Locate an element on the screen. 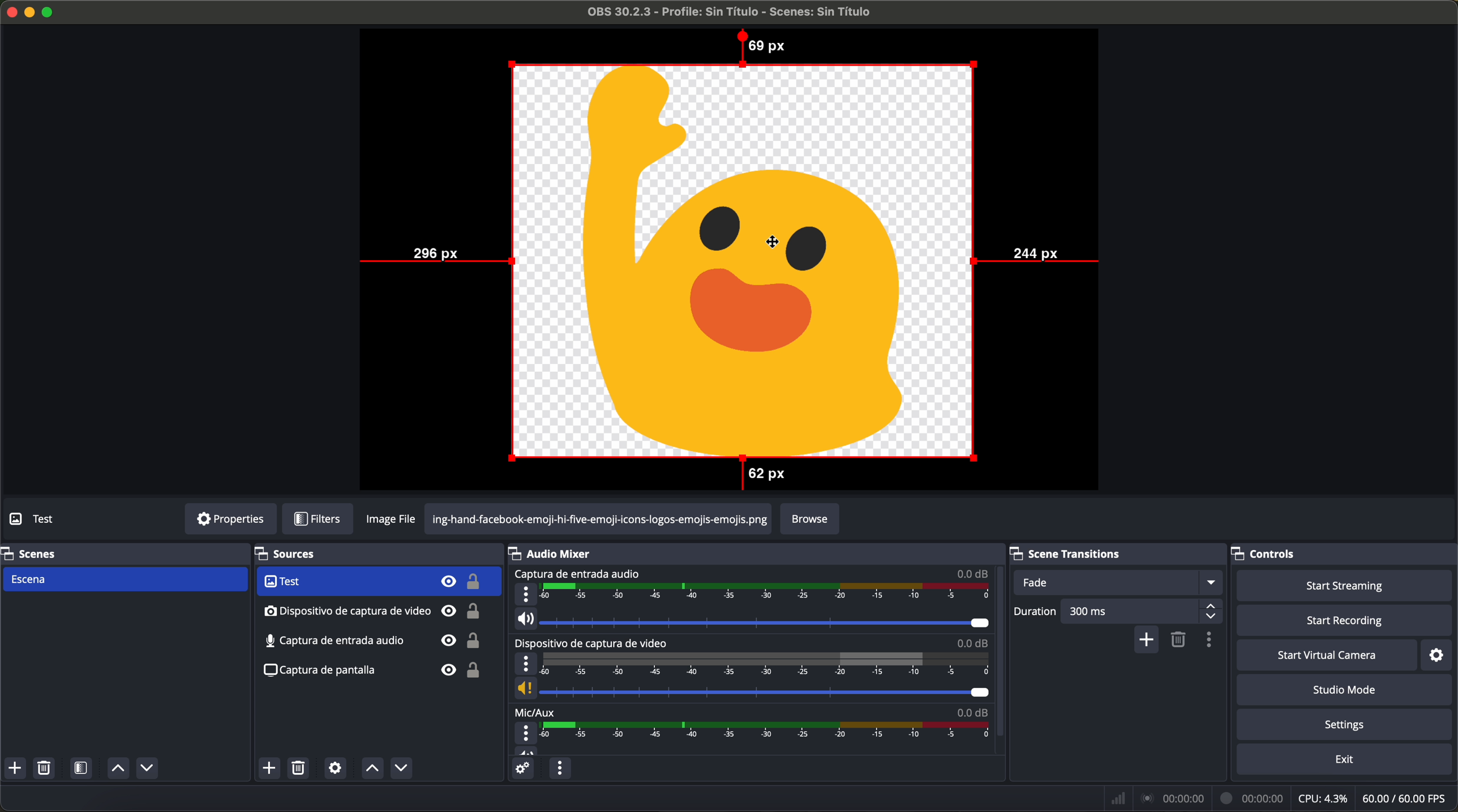  click on add source is located at coordinates (272, 769).